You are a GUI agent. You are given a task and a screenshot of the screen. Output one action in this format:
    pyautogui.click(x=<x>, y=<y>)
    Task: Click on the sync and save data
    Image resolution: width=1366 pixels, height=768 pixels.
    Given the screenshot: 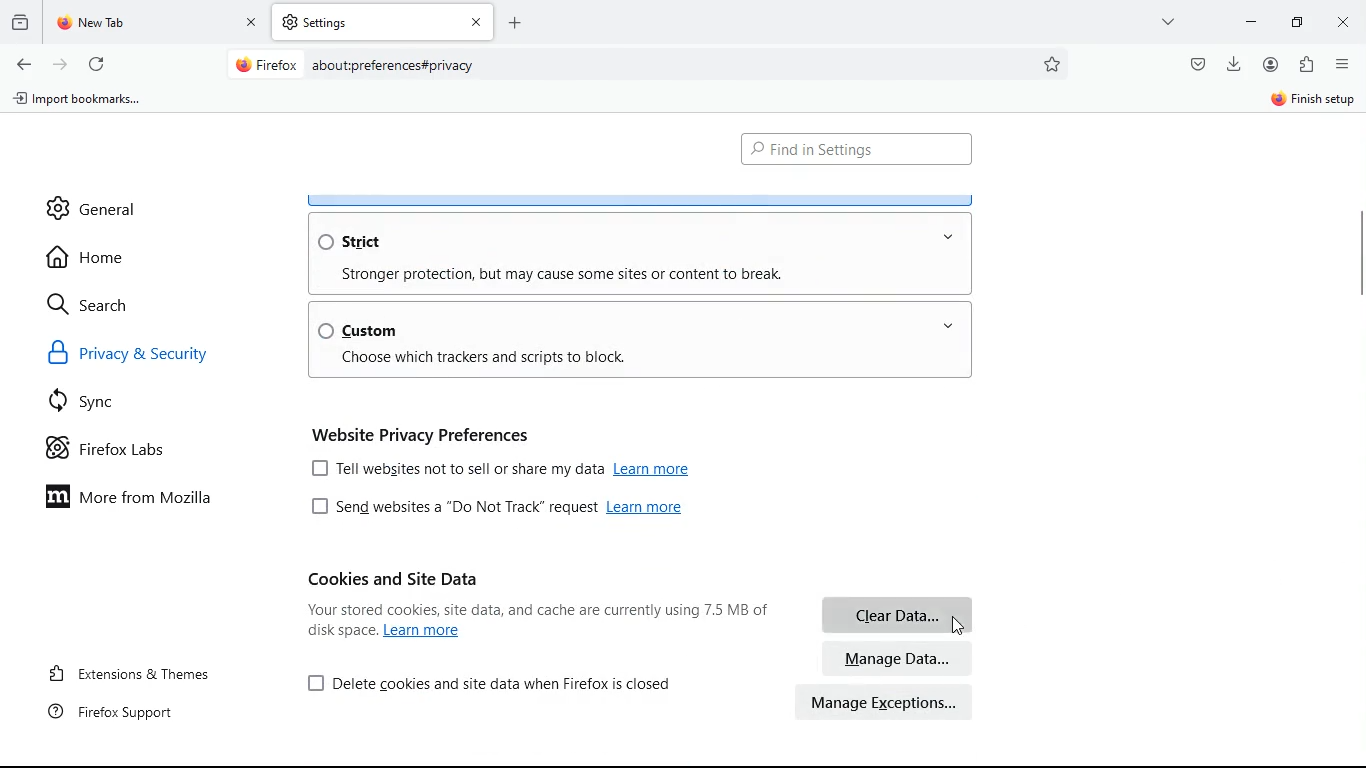 What is the action you would take?
    pyautogui.click(x=1167, y=102)
    